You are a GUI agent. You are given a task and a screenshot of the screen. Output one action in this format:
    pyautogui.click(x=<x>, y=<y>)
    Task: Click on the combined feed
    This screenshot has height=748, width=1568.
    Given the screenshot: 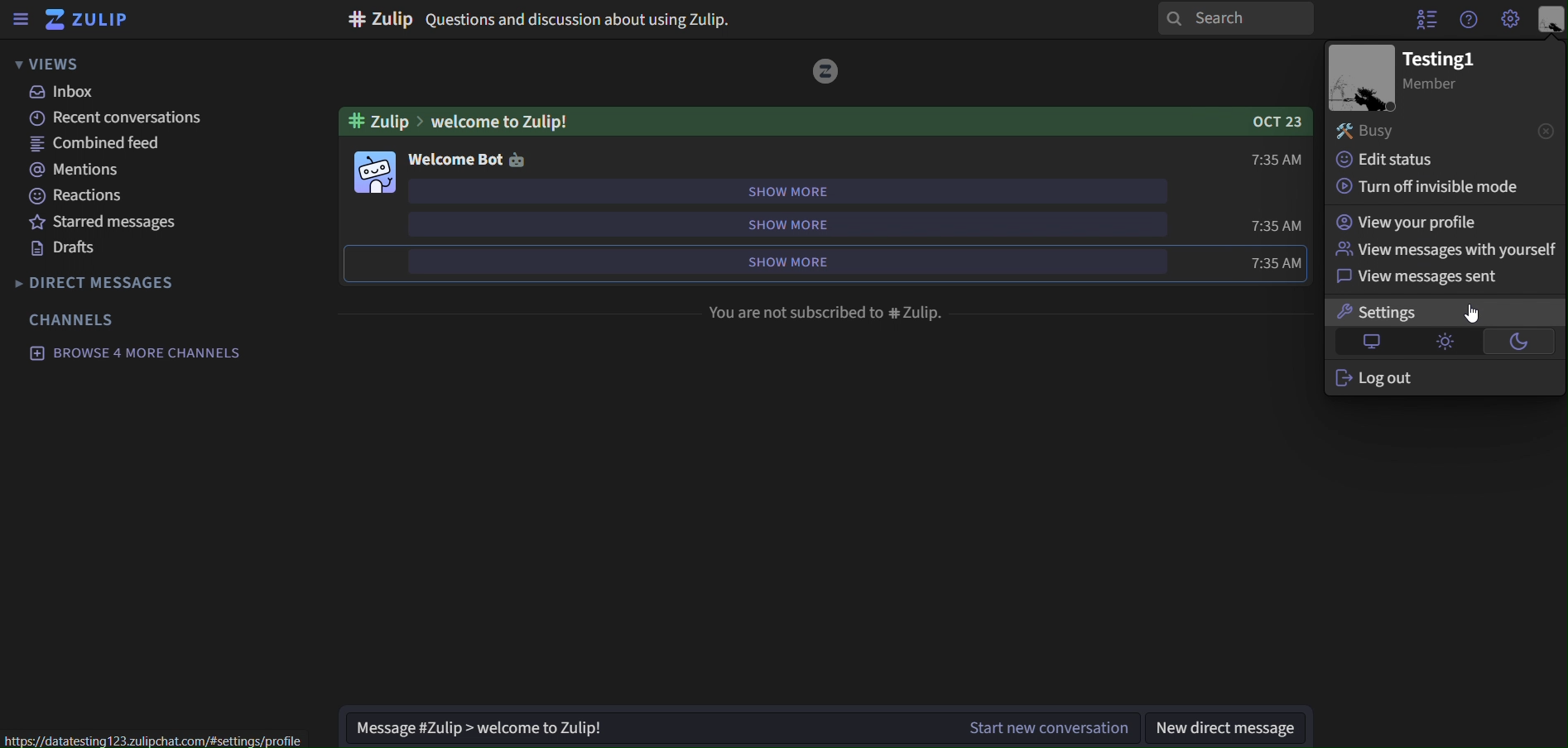 What is the action you would take?
    pyautogui.click(x=97, y=146)
    